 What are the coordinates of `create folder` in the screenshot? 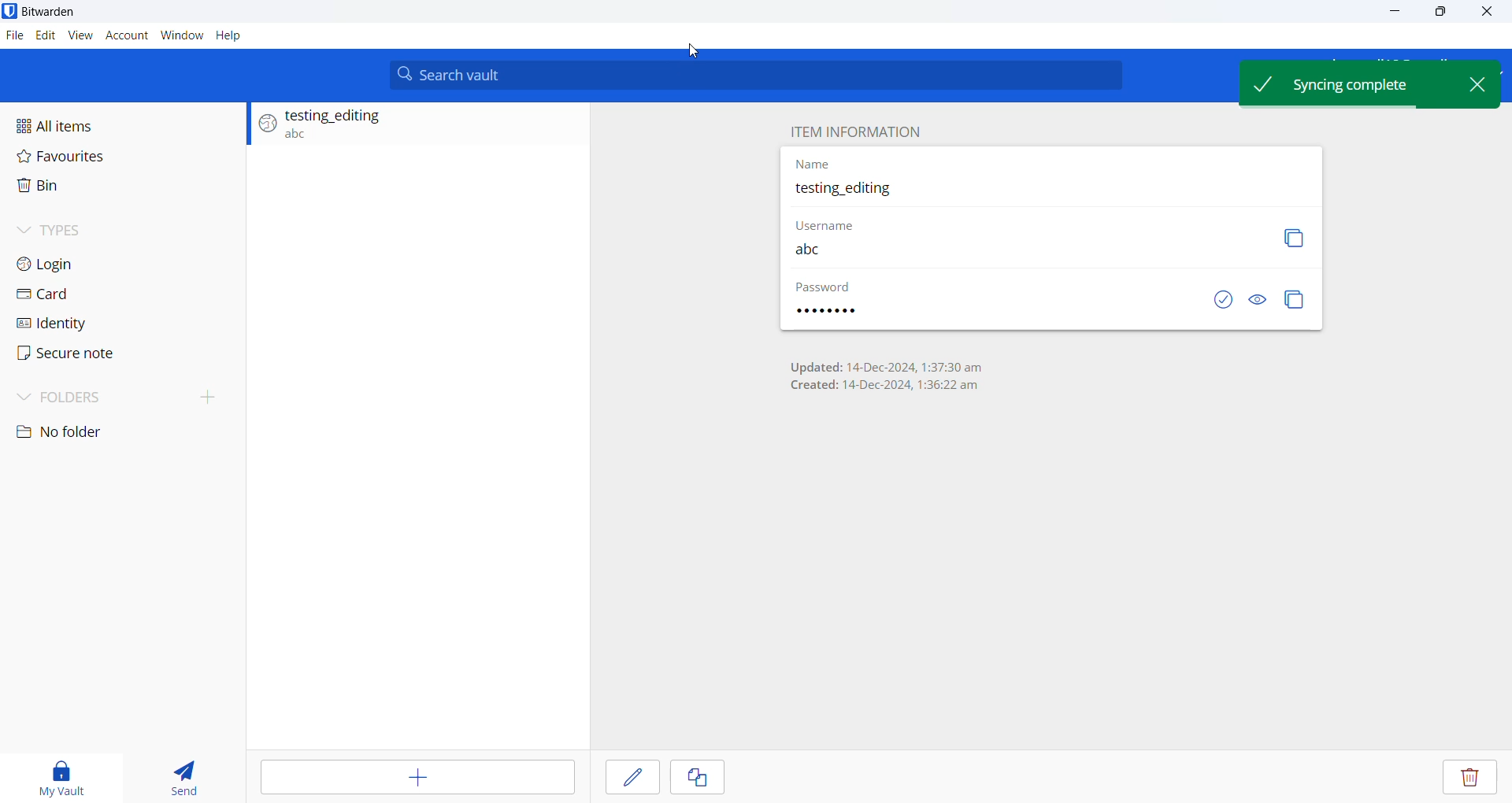 It's located at (214, 396).